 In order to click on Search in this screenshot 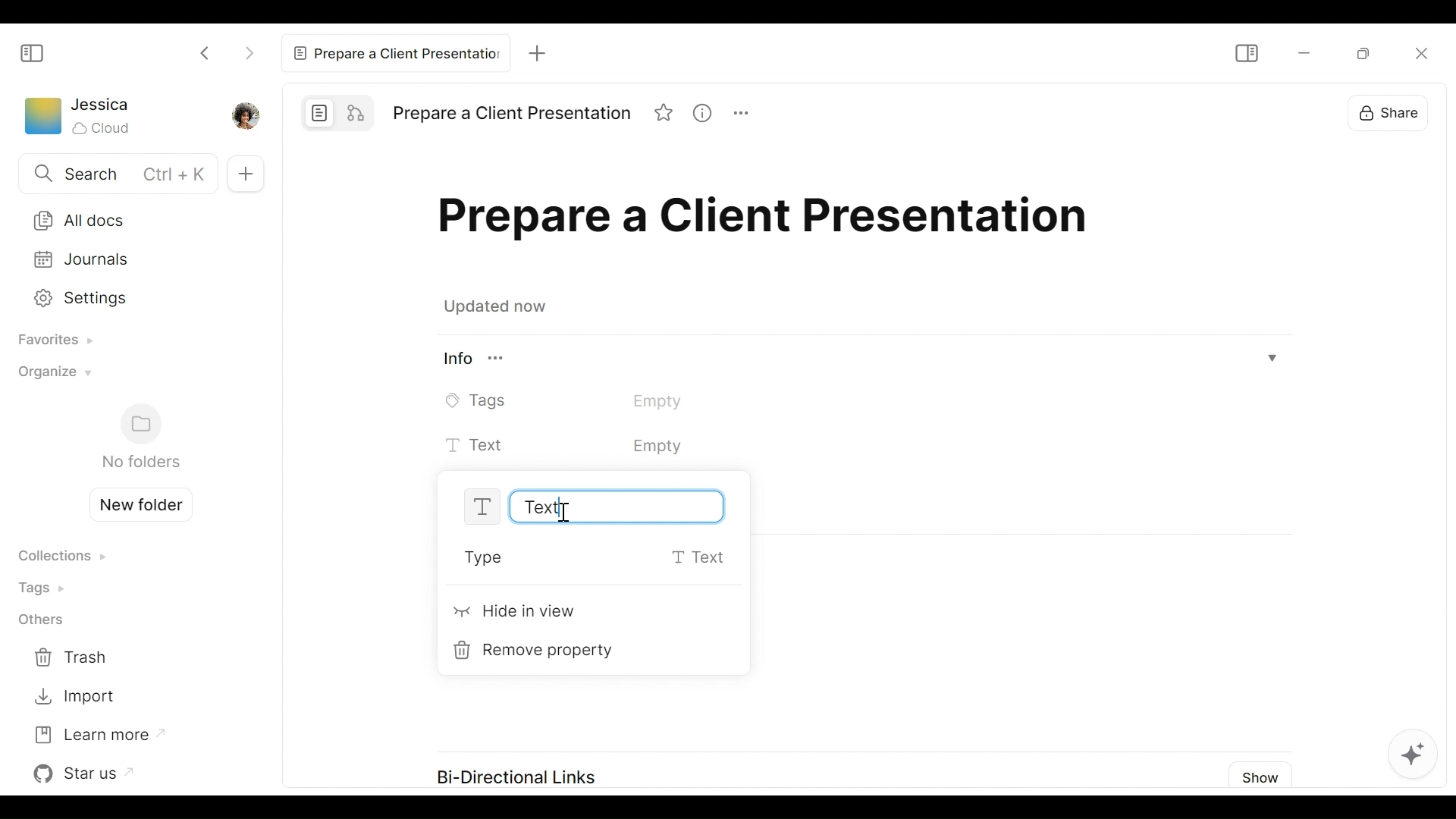, I will do `click(115, 175)`.